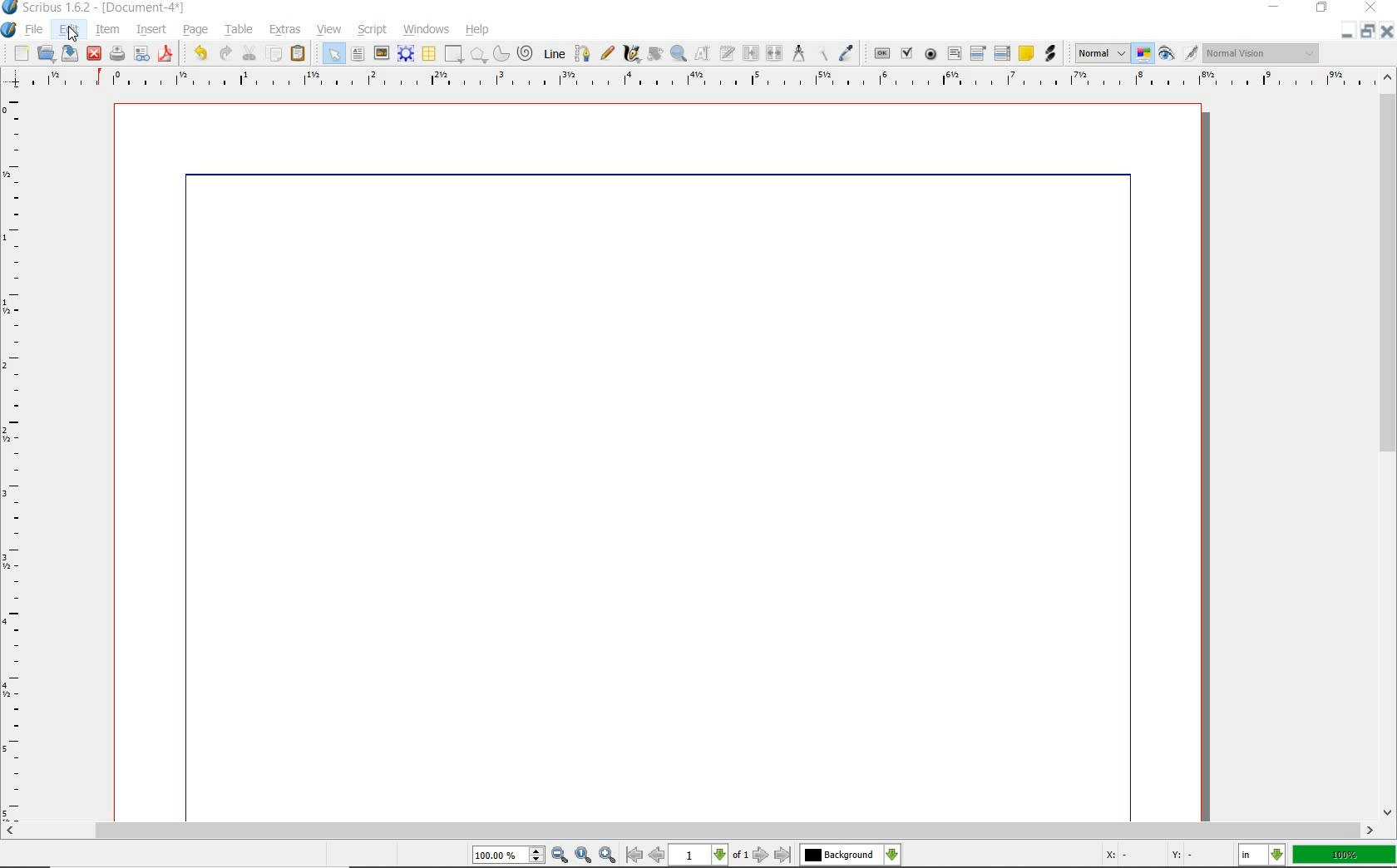 This screenshot has width=1397, height=868. Describe the element at coordinates (740, 856) in the screenshot. I see `of 1` at that location.